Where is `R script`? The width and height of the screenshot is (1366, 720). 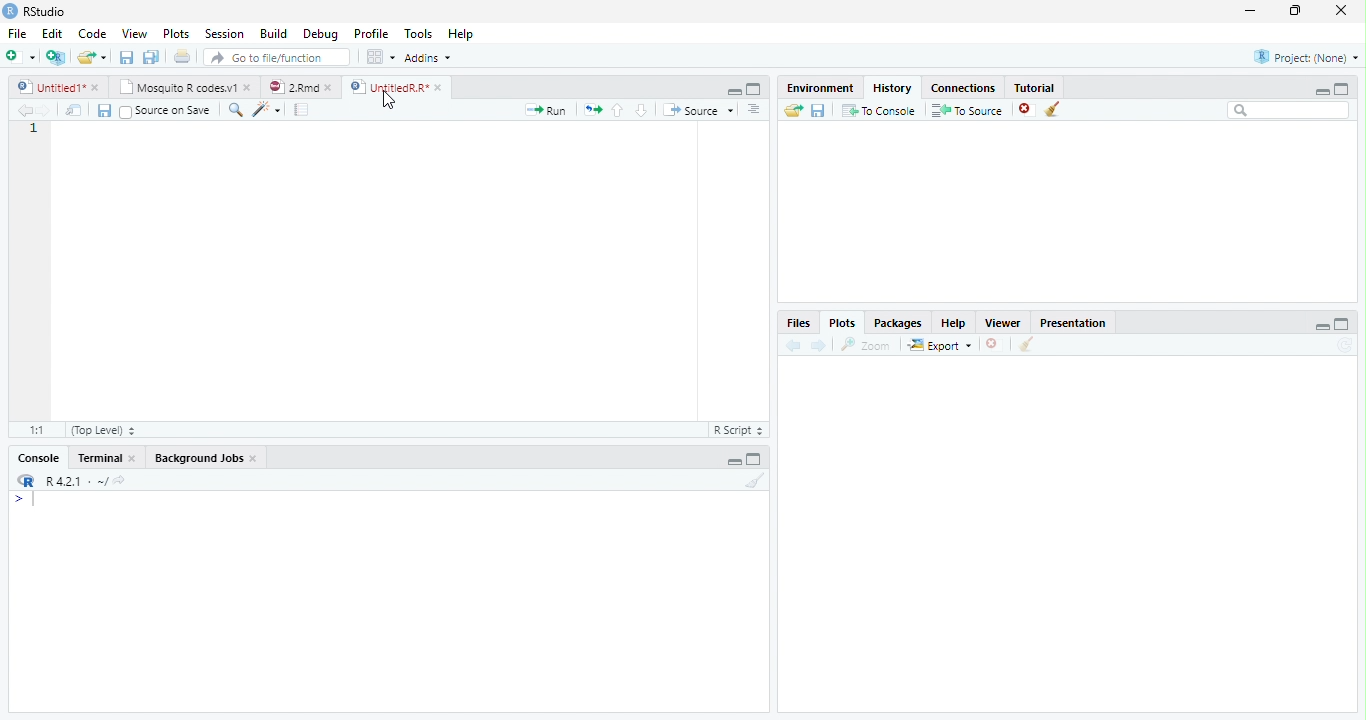
R script is located at coordinates (741, 430).